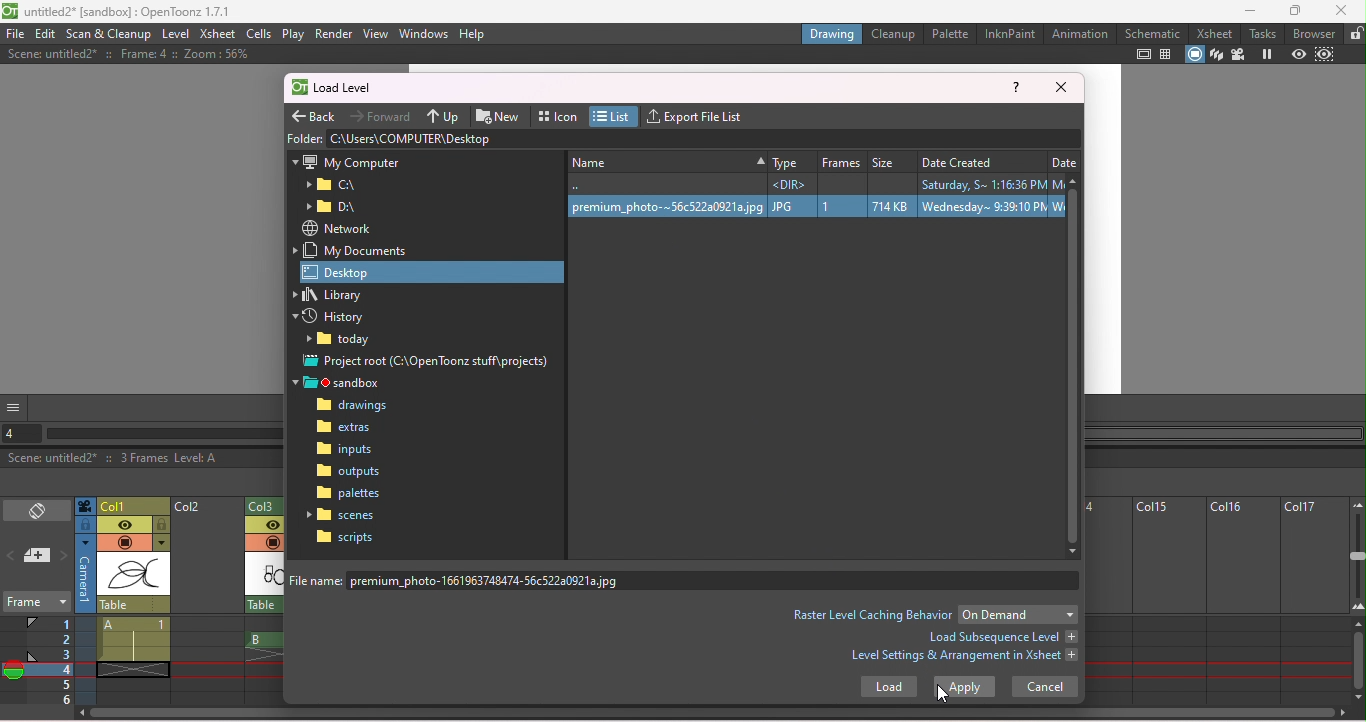  I want to click on Frames, so click(51, 660).